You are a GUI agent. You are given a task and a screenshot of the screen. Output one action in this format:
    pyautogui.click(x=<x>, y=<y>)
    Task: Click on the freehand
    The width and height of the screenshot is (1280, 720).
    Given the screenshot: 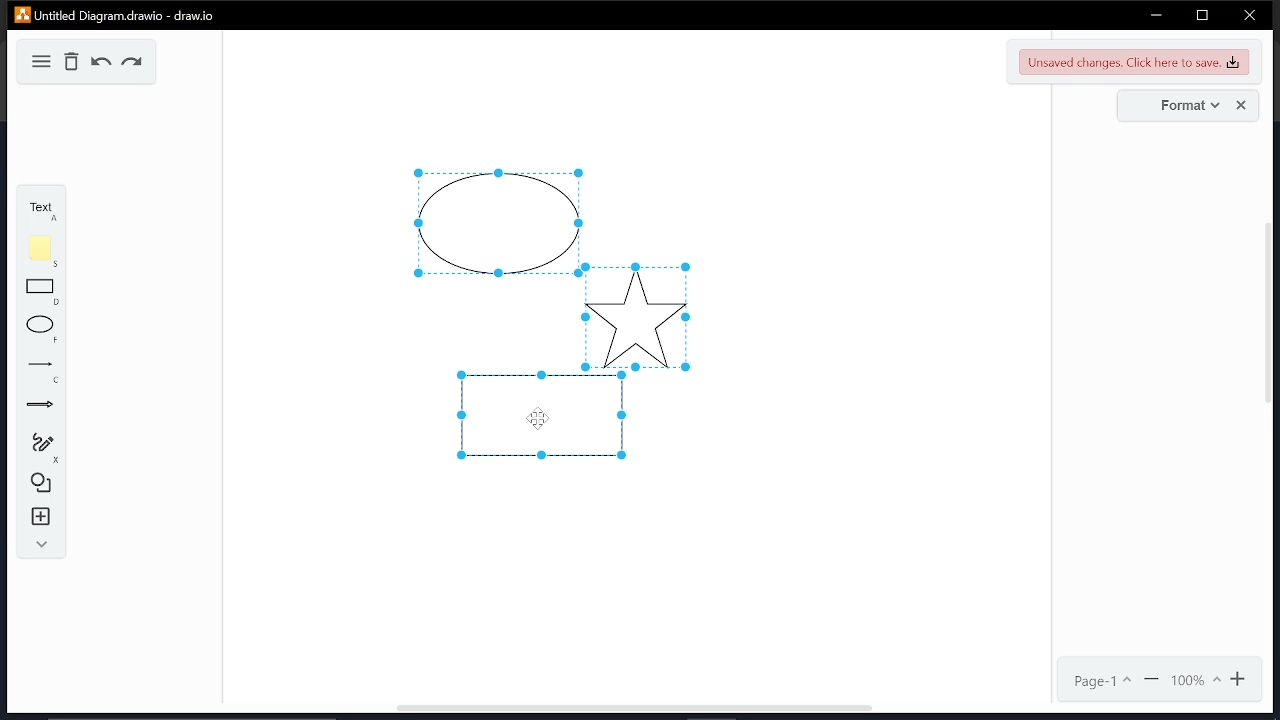 What is the action you would take?
    pyautogui.click(x=42, y=447)
    